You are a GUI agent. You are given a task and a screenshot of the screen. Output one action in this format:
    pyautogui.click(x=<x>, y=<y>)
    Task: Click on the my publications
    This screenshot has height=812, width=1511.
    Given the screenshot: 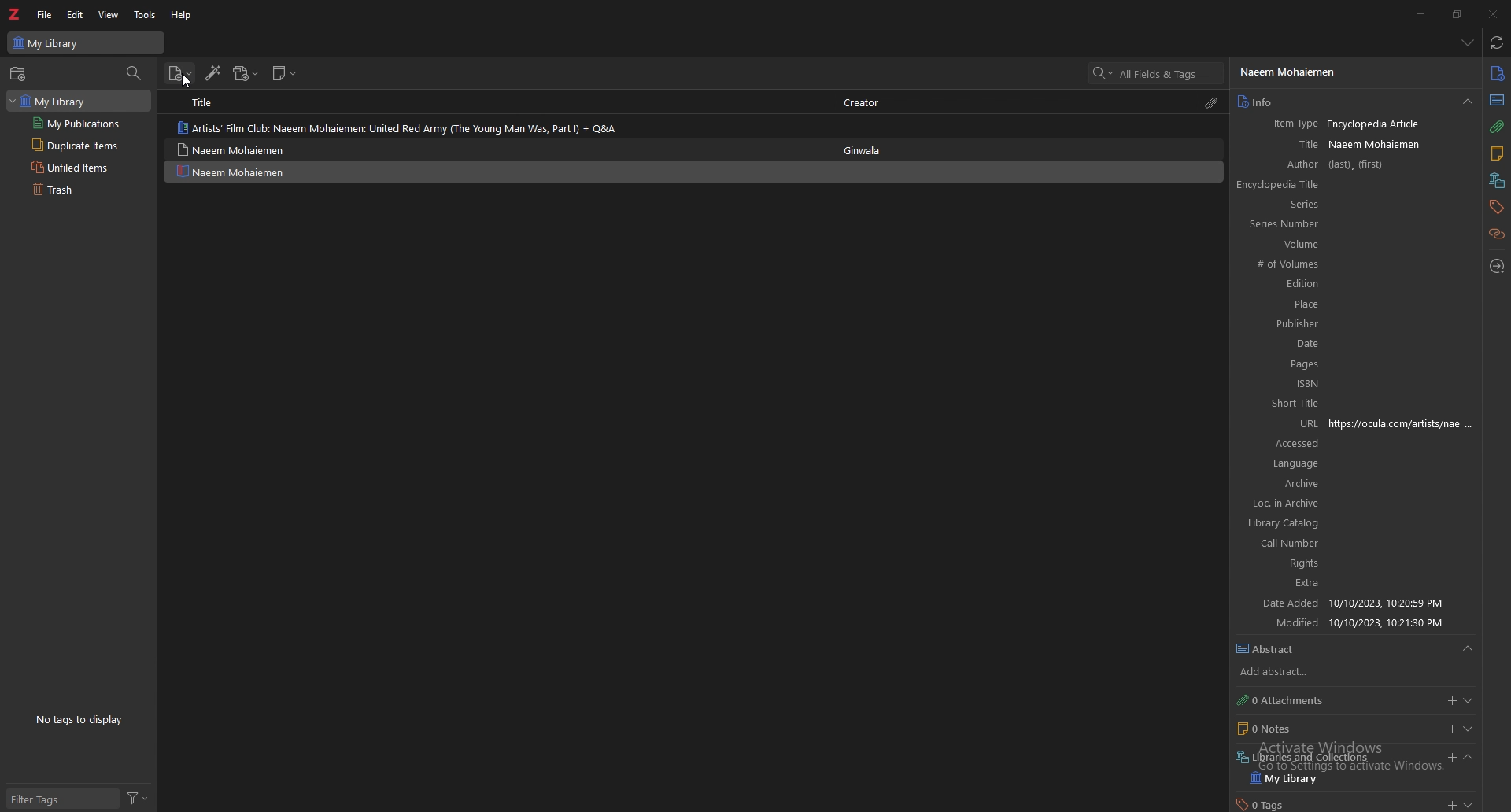 What is the action you would take?
    pyautogui.click(x=77, y=124)
    